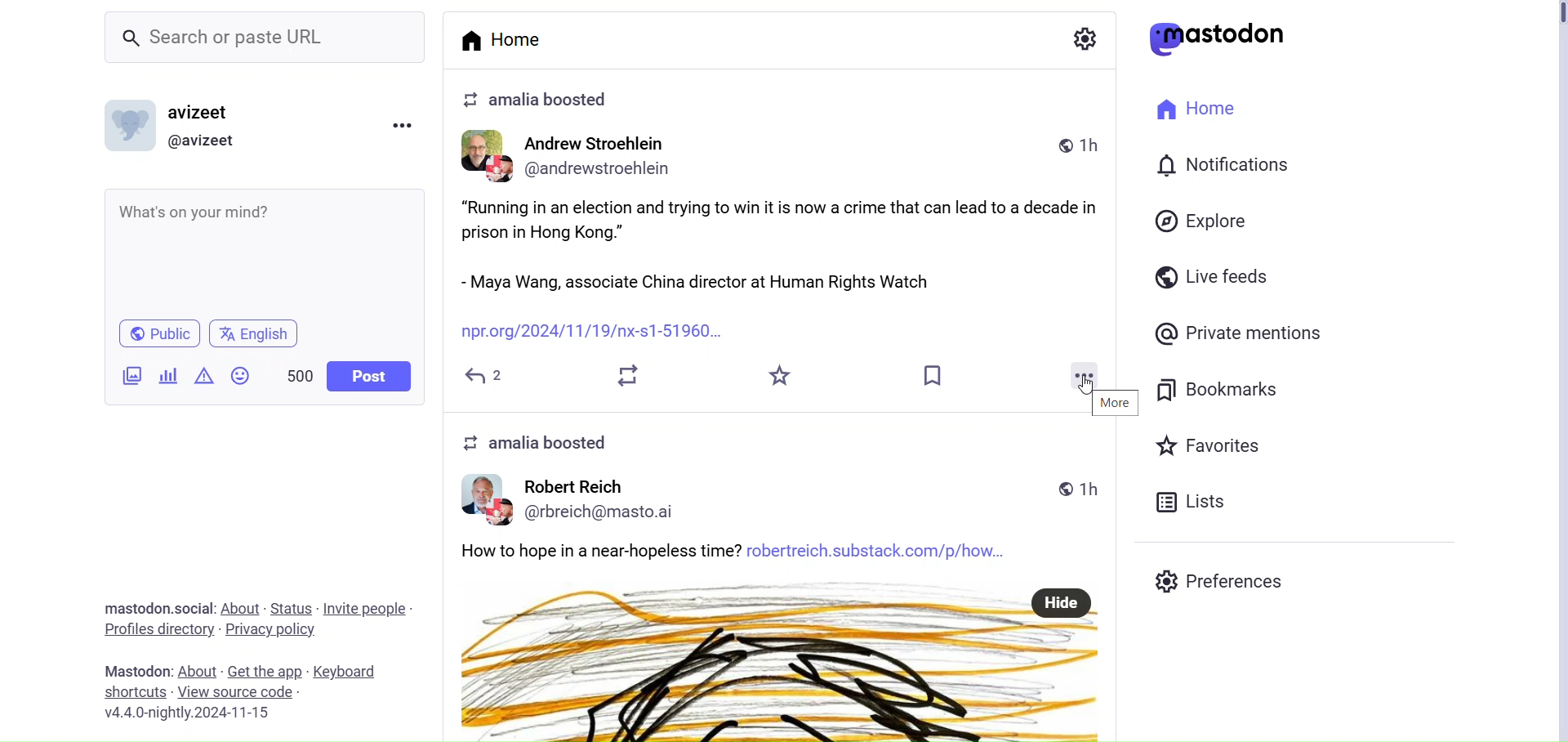 This screenshot has height=742, width=1568. What do you see at coordinates (543, 443) in the screenshot?
I see `Text` at bounding box center [543, 443].